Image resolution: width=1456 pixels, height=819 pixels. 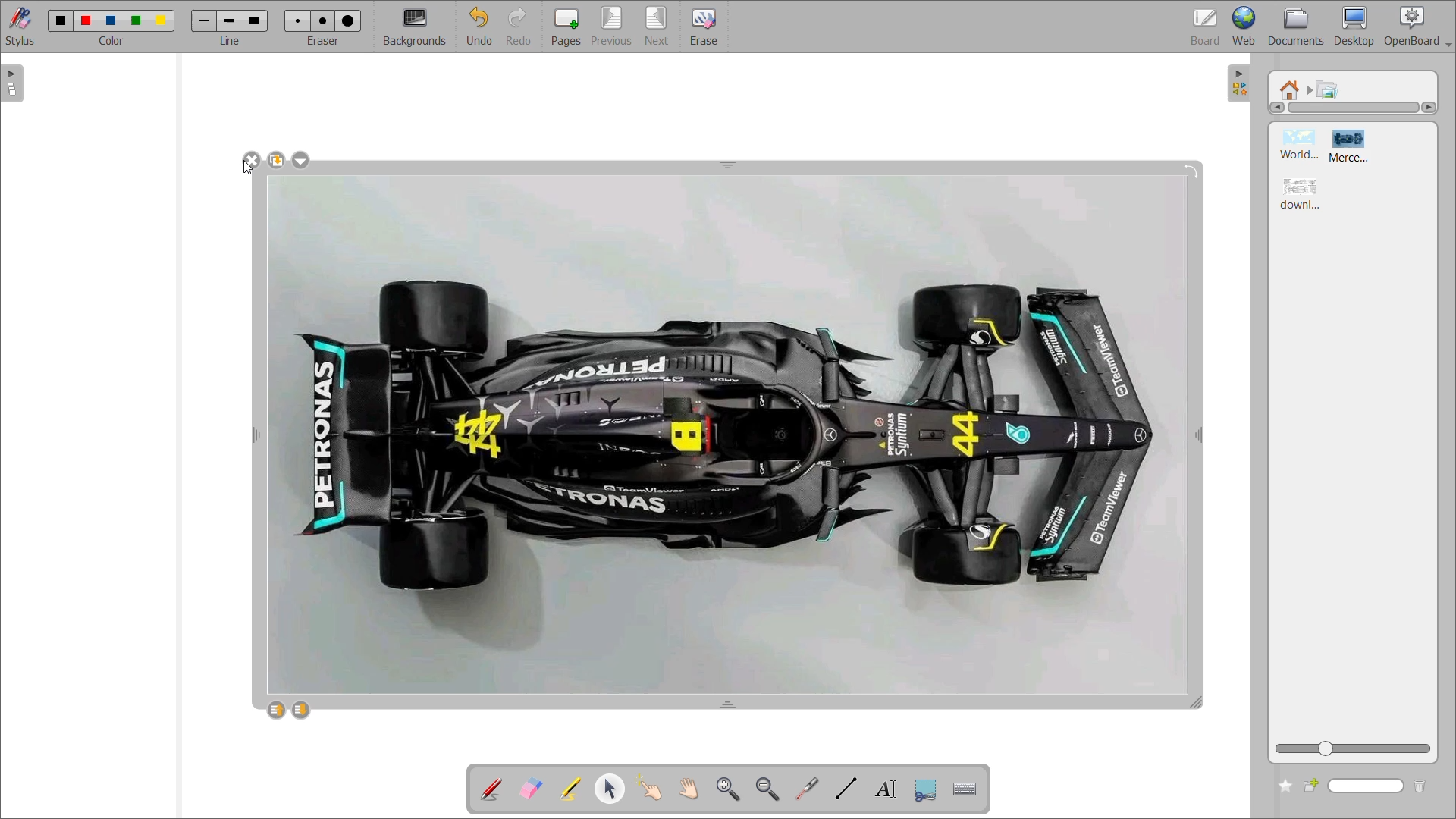 I want to click on pages, so click(x=566, y=28).